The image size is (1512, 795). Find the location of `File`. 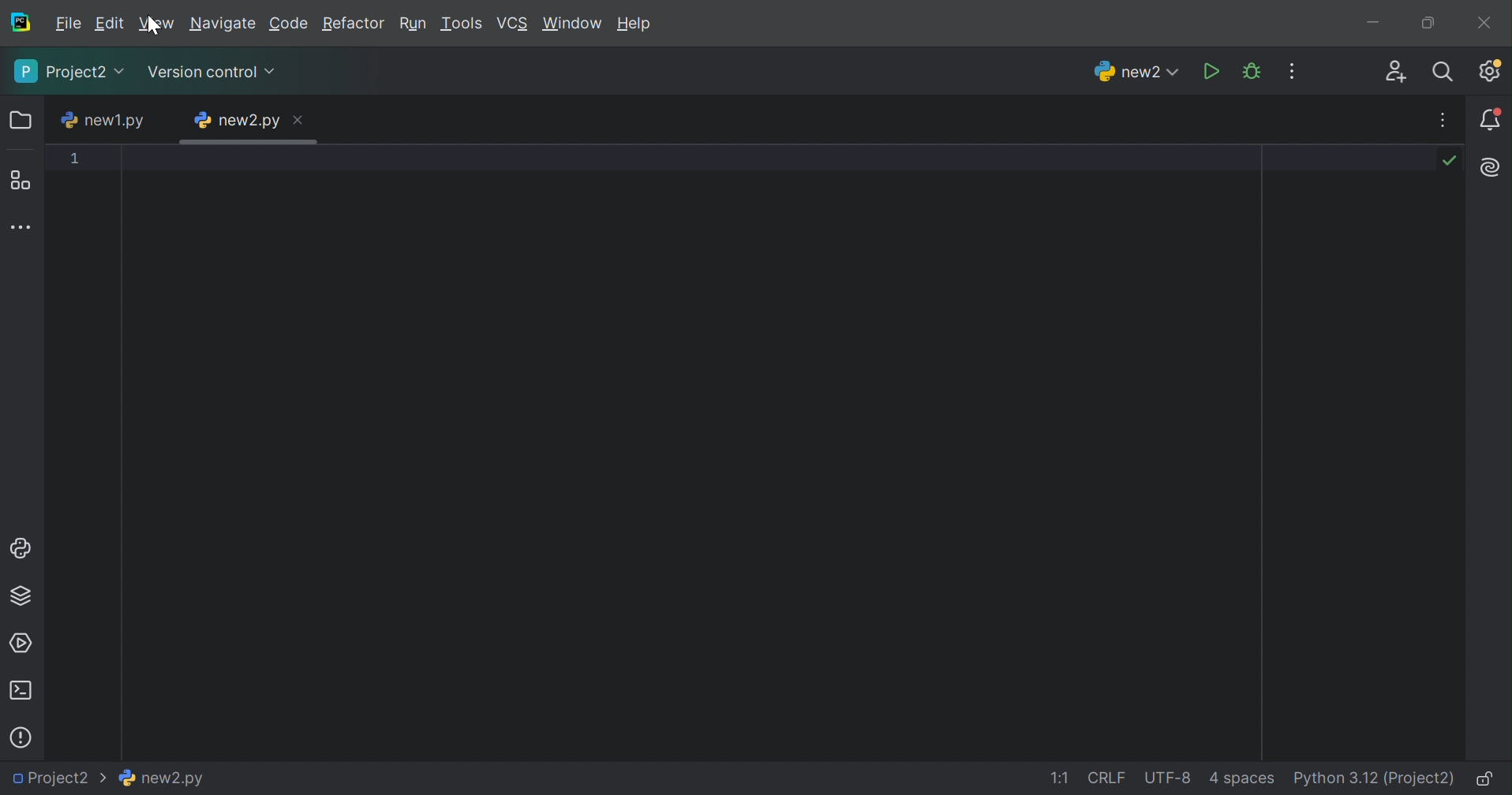

File is located at coordinates (65, 22).